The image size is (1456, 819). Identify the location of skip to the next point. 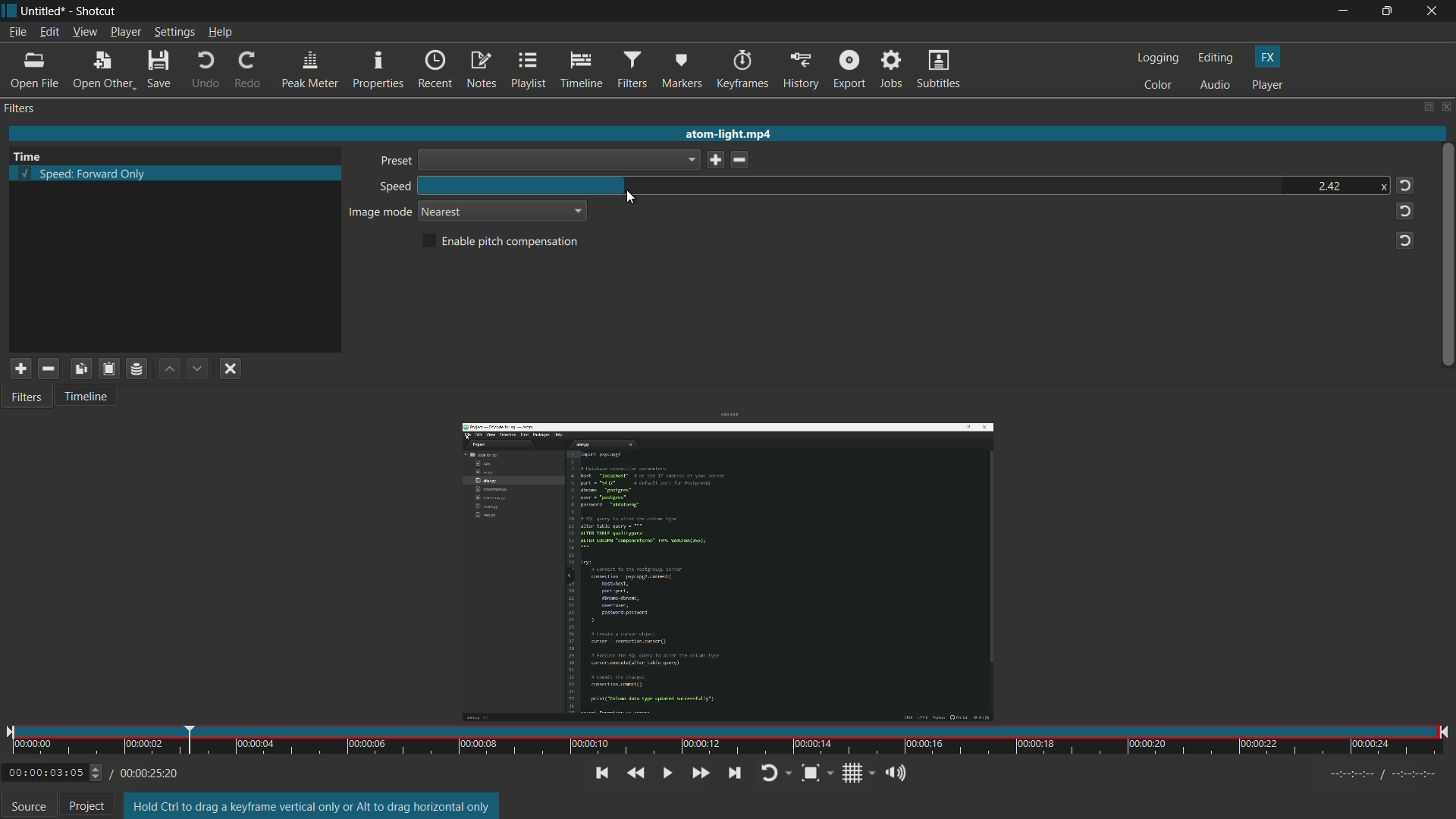
(735, 773).